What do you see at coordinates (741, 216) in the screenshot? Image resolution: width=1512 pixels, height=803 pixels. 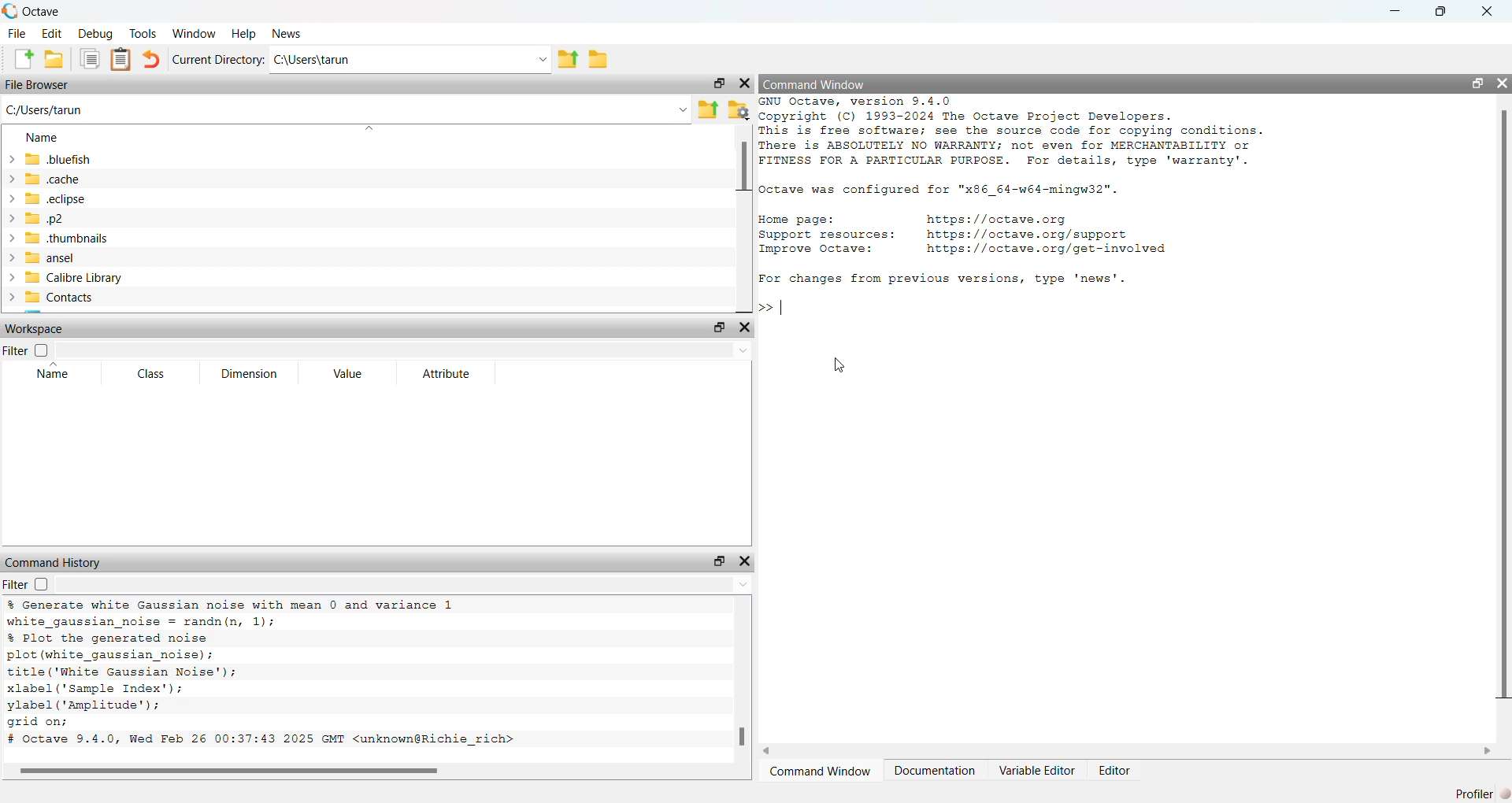 I see `vertical scroll bar` at bounding box center [741, 216].